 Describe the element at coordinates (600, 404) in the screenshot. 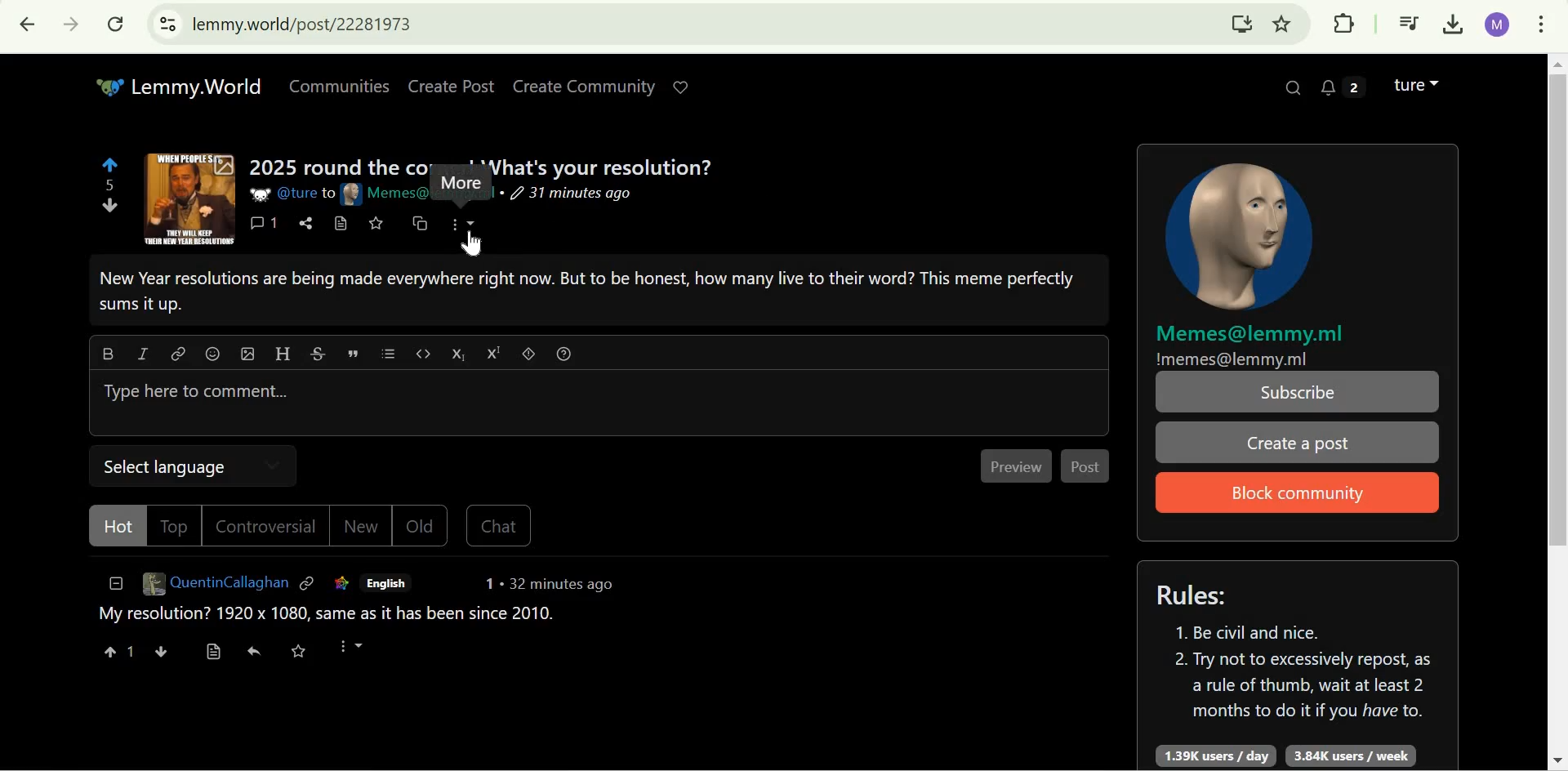

I see `Type here to comment...` at that location.